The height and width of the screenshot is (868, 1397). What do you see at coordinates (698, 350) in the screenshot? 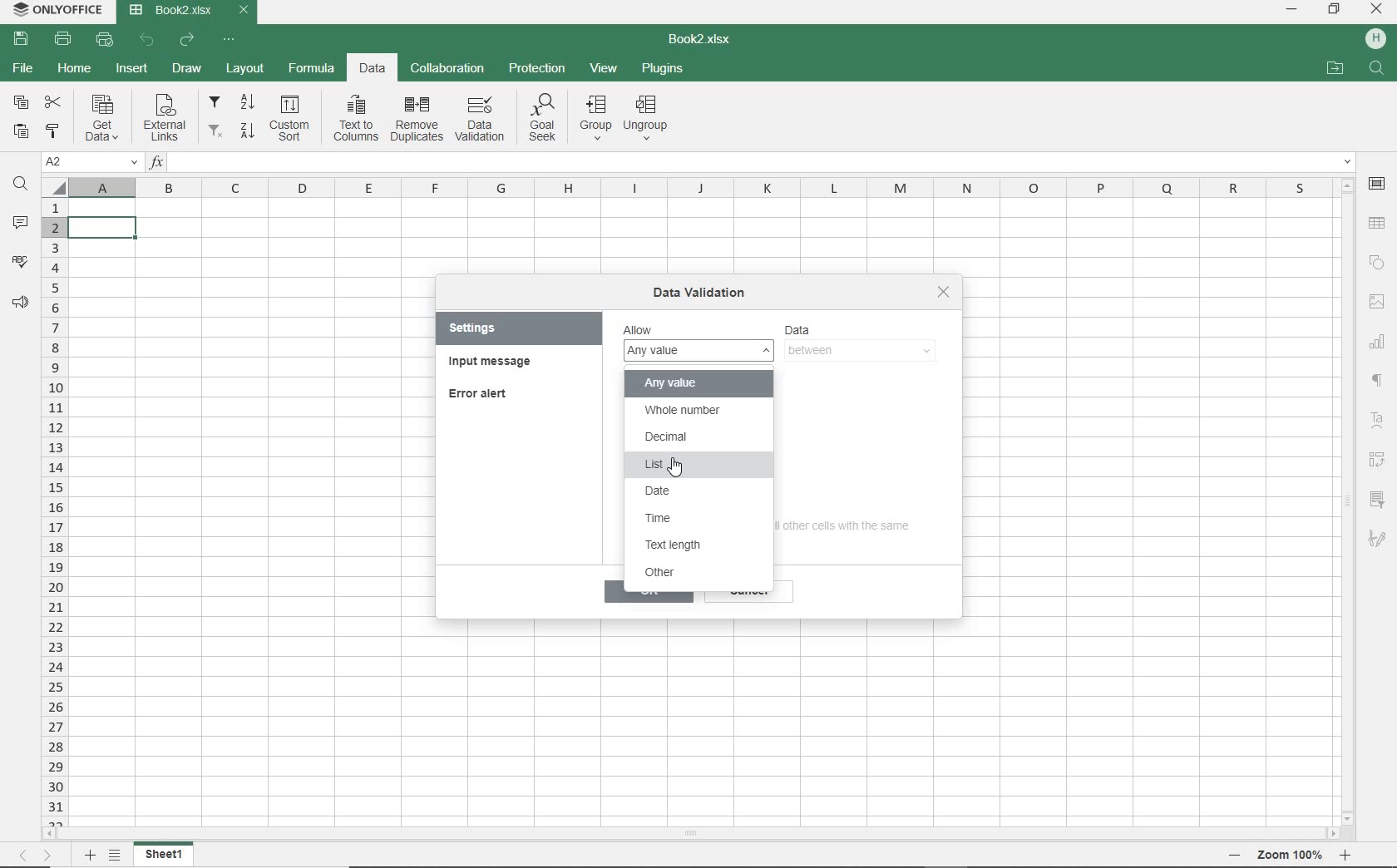
I see `any value` at bounding box center [698, 350].